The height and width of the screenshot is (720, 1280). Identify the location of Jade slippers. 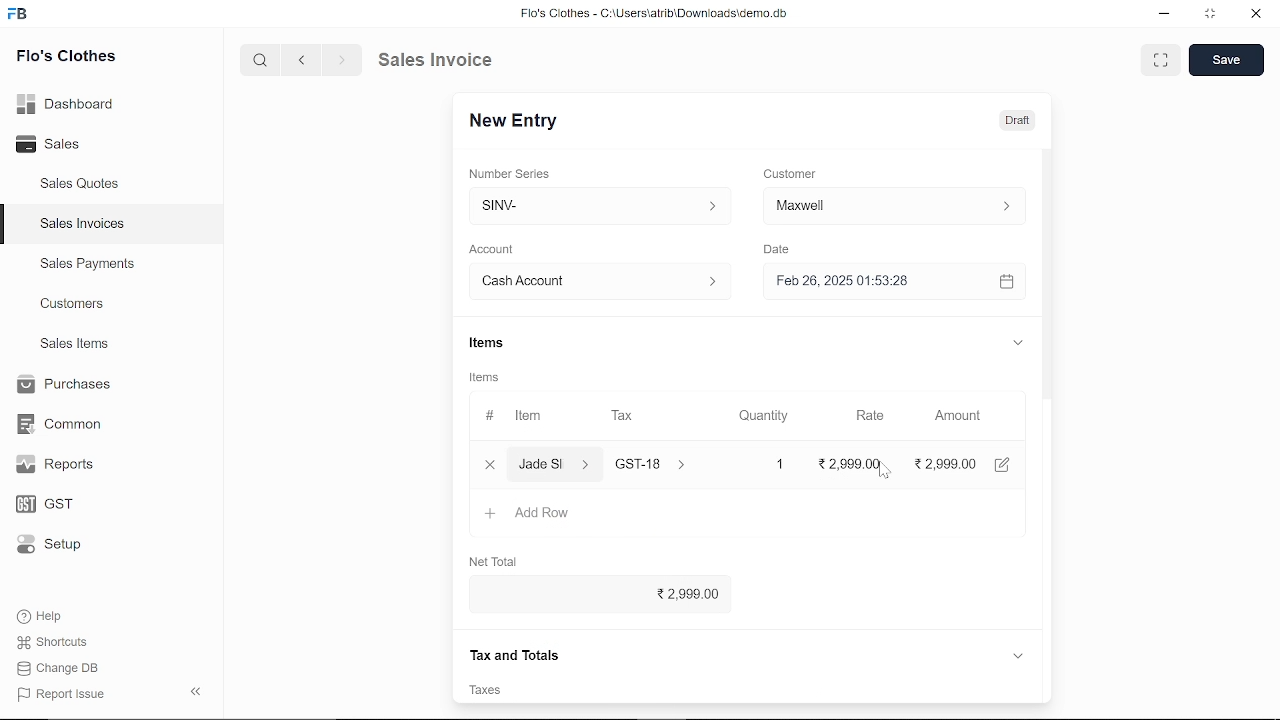
(555, 464).